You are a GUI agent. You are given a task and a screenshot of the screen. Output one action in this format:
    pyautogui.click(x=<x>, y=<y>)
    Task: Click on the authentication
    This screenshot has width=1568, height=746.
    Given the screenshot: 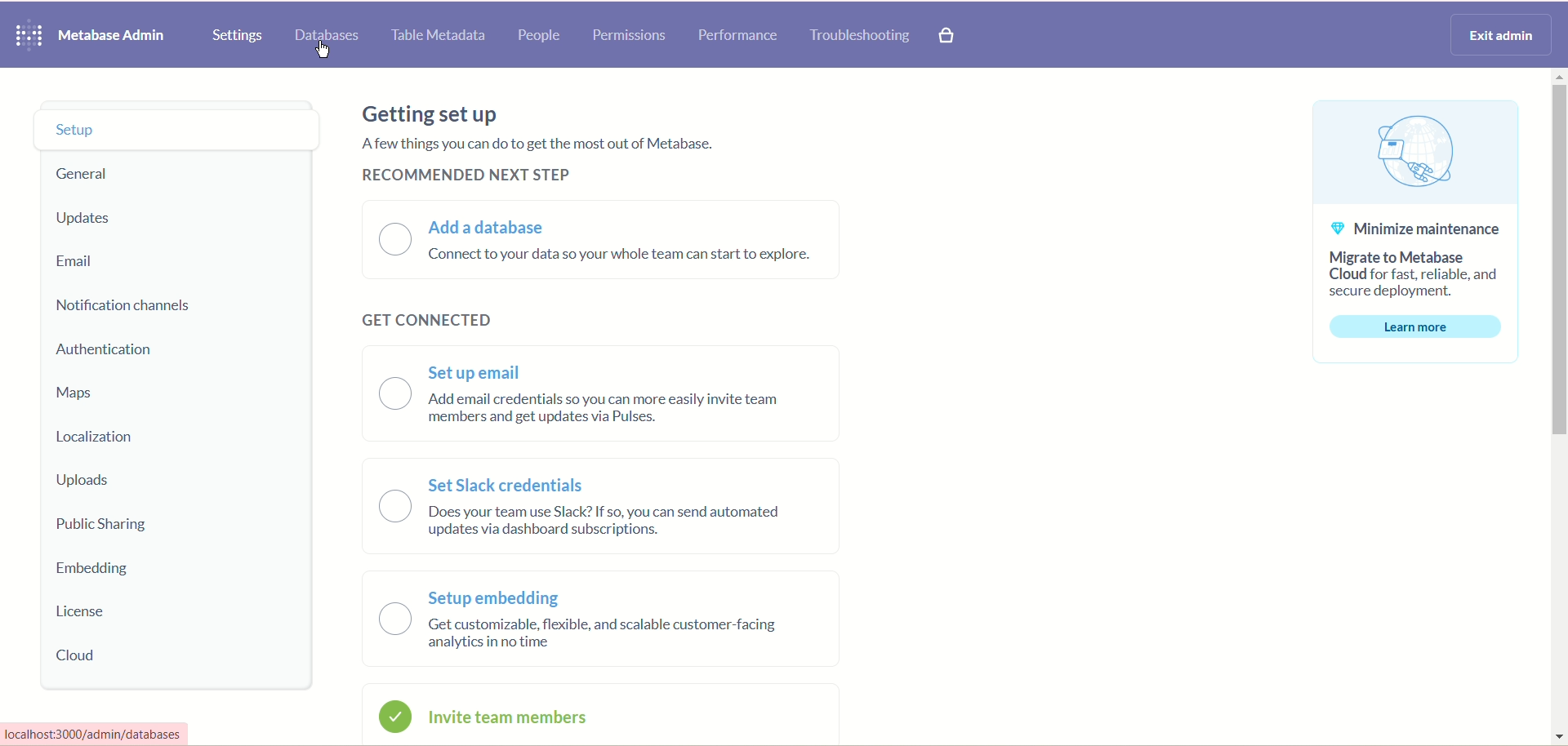 What is the action you would take?
    pyautogui.click(x=114, y=353)
    